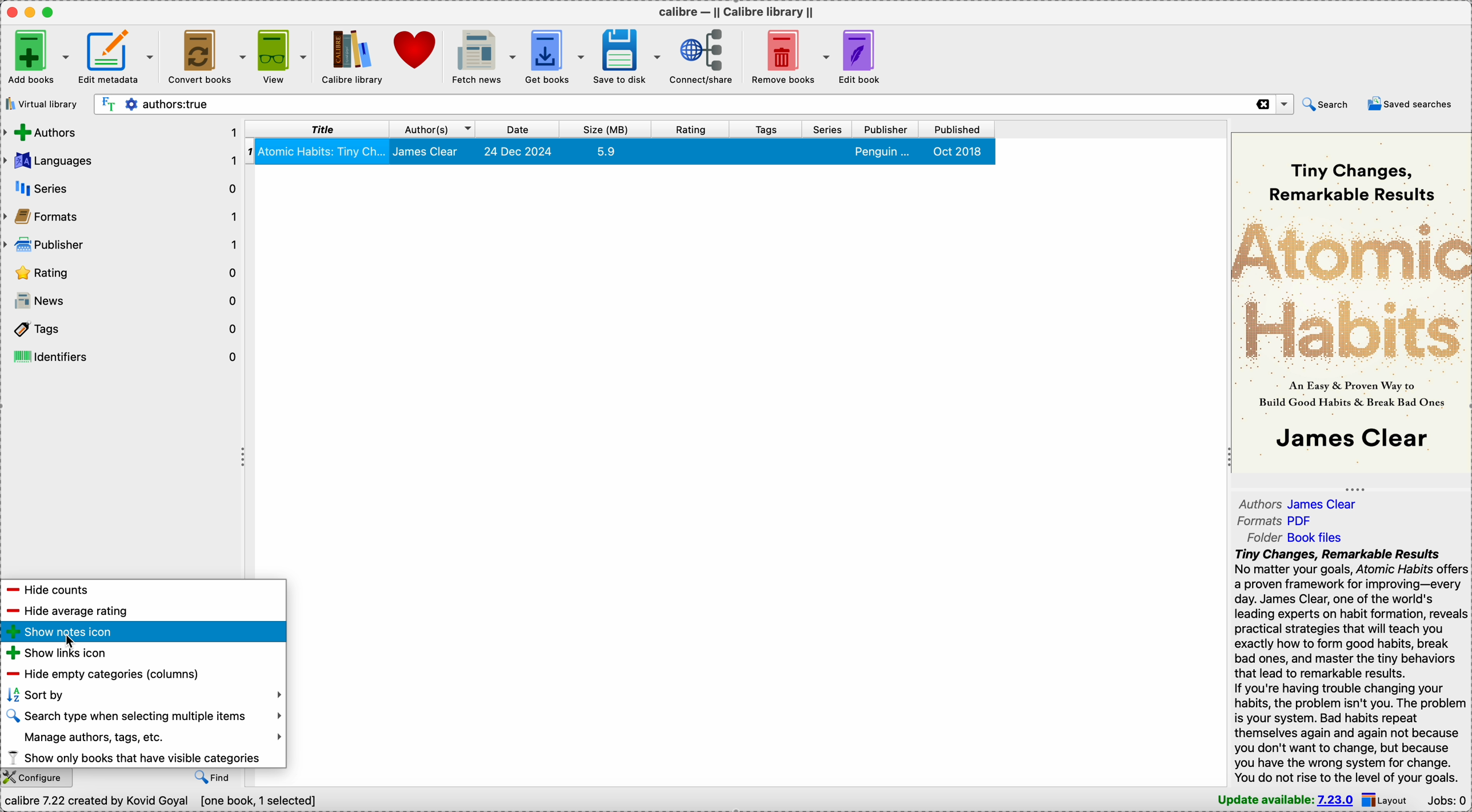 The height and width of the screenshot is (812, 1472). What do you see at coordinates (606, 151) in the screenshot?
I see `5.9` at bounding box center [606, 151].